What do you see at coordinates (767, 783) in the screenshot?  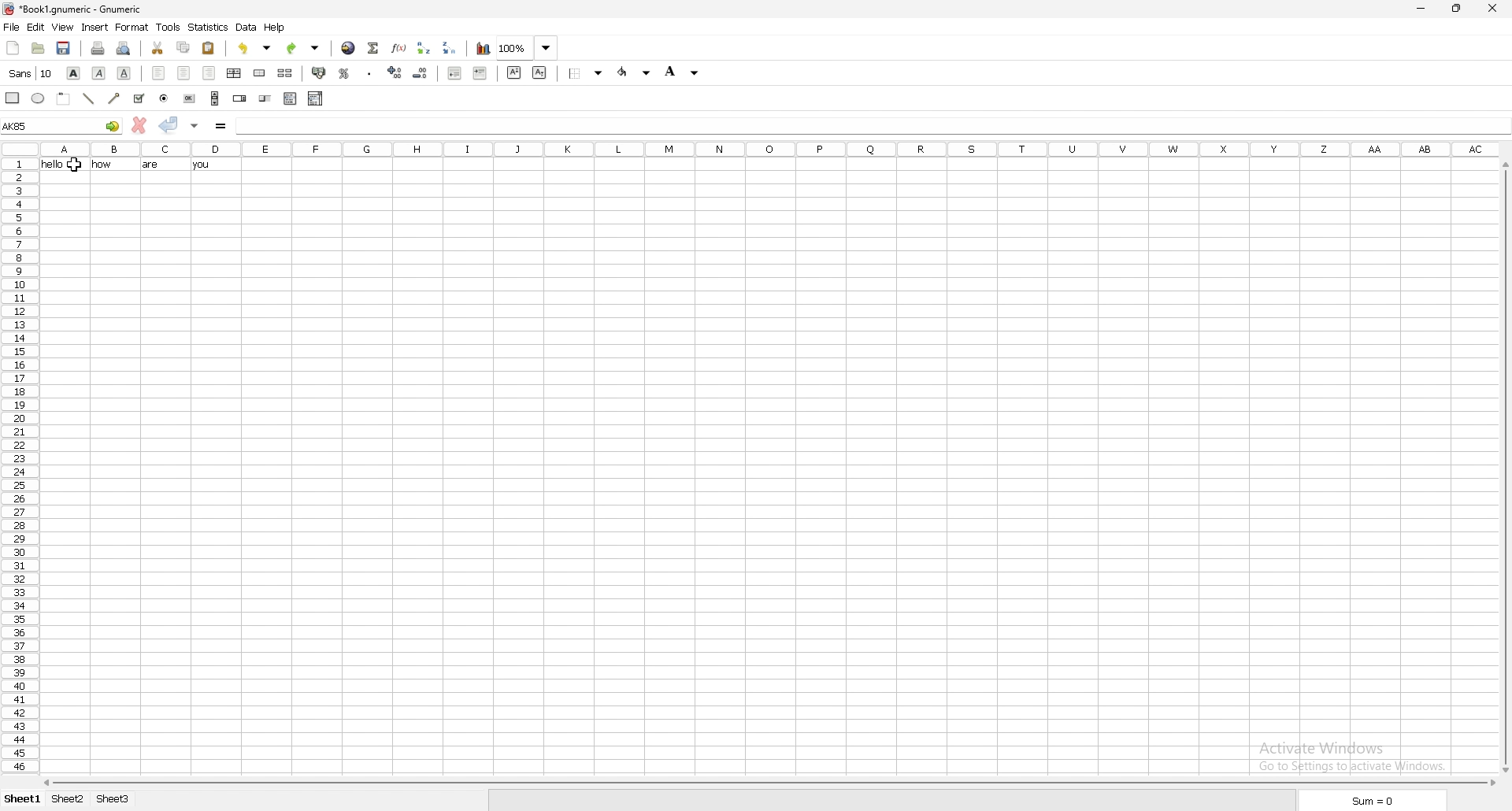 I see `scroll bar` at bounding box center [767, 783].